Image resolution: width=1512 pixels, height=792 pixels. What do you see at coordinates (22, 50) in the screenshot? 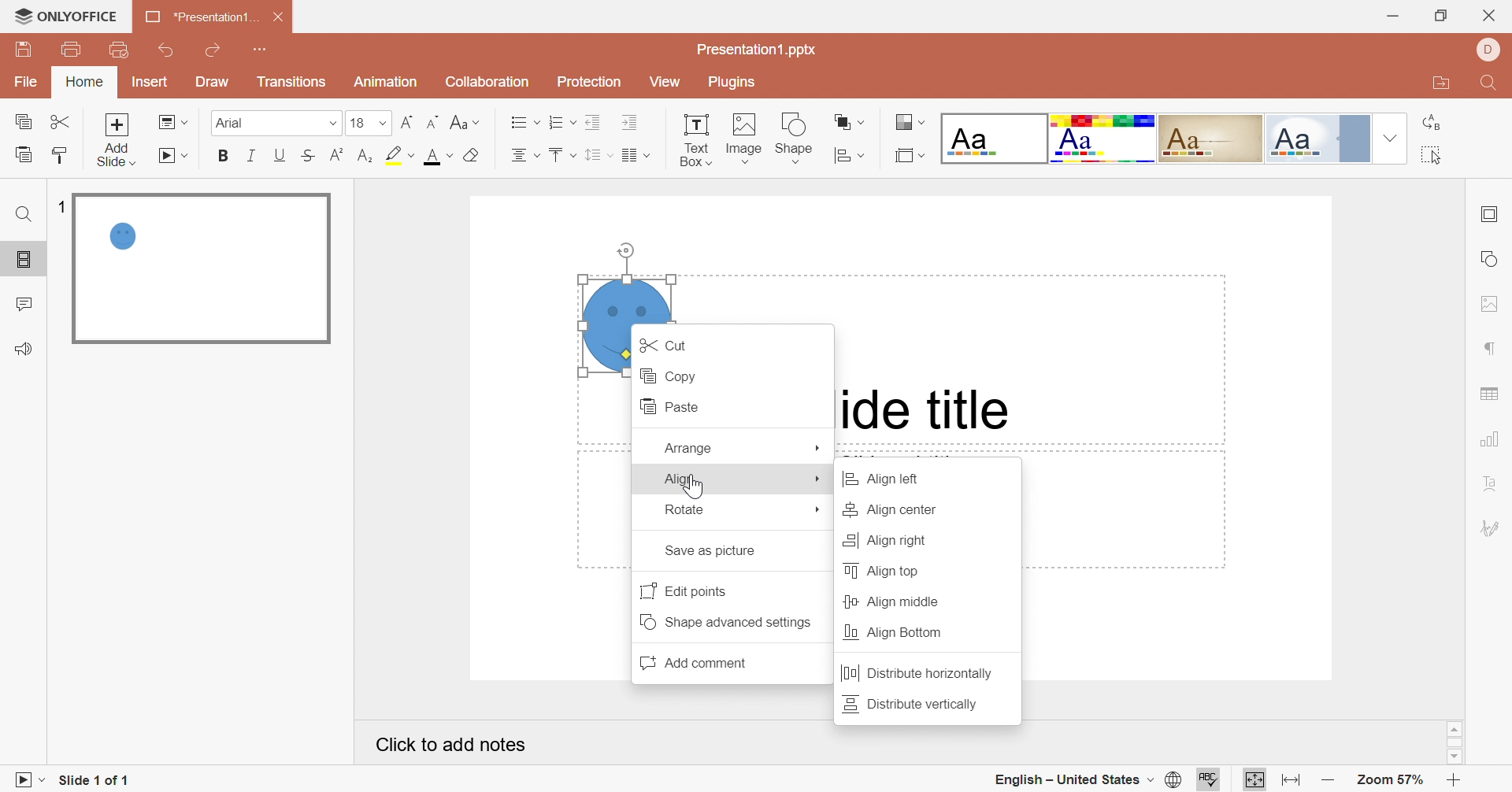
I see `Save` at bounding box center [22, 50].